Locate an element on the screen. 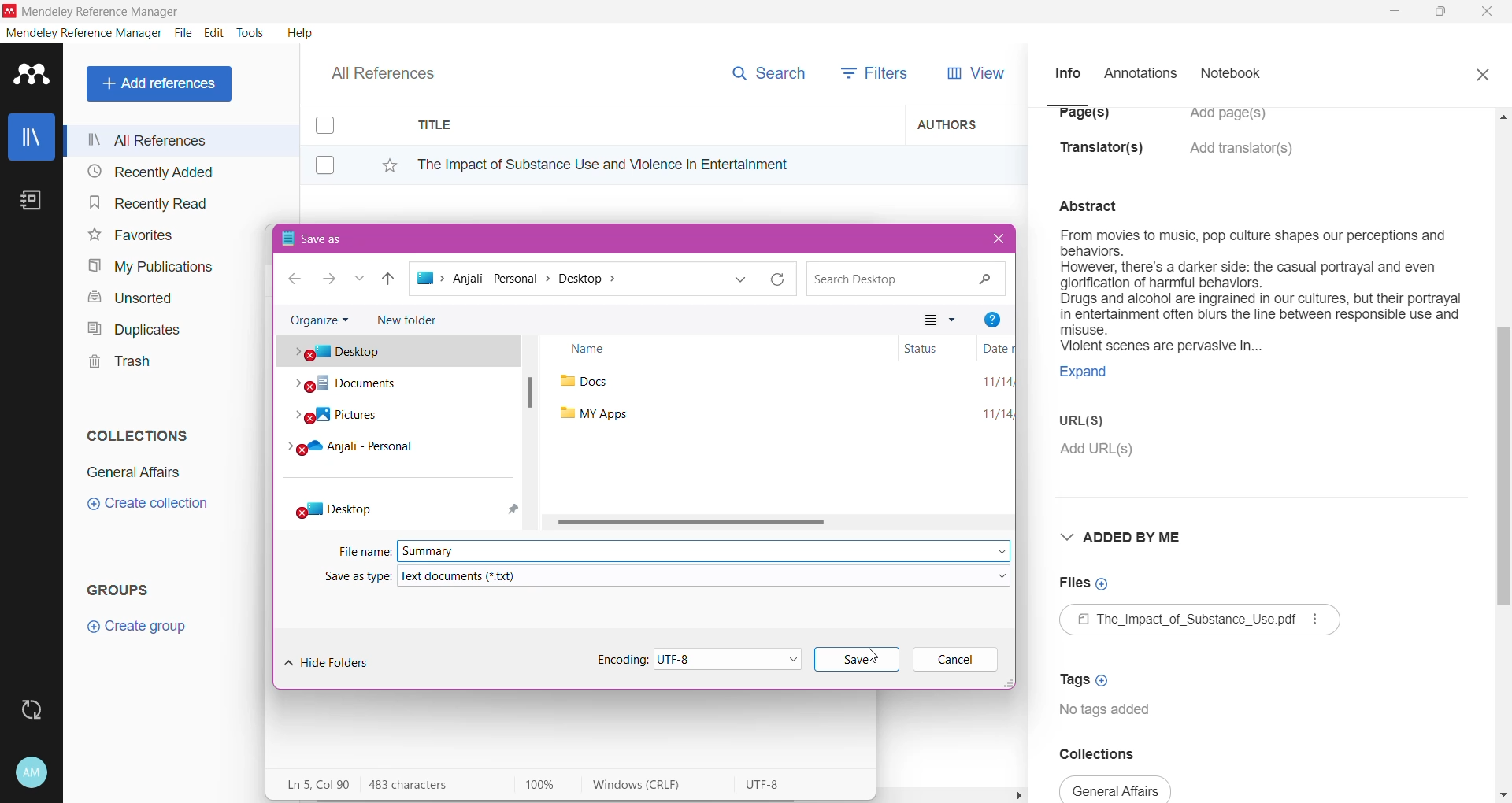 Image resolution: width=1512 pixels, height=803 pixels. Mendeley Reference Manager is located at coordinates (84, 33).